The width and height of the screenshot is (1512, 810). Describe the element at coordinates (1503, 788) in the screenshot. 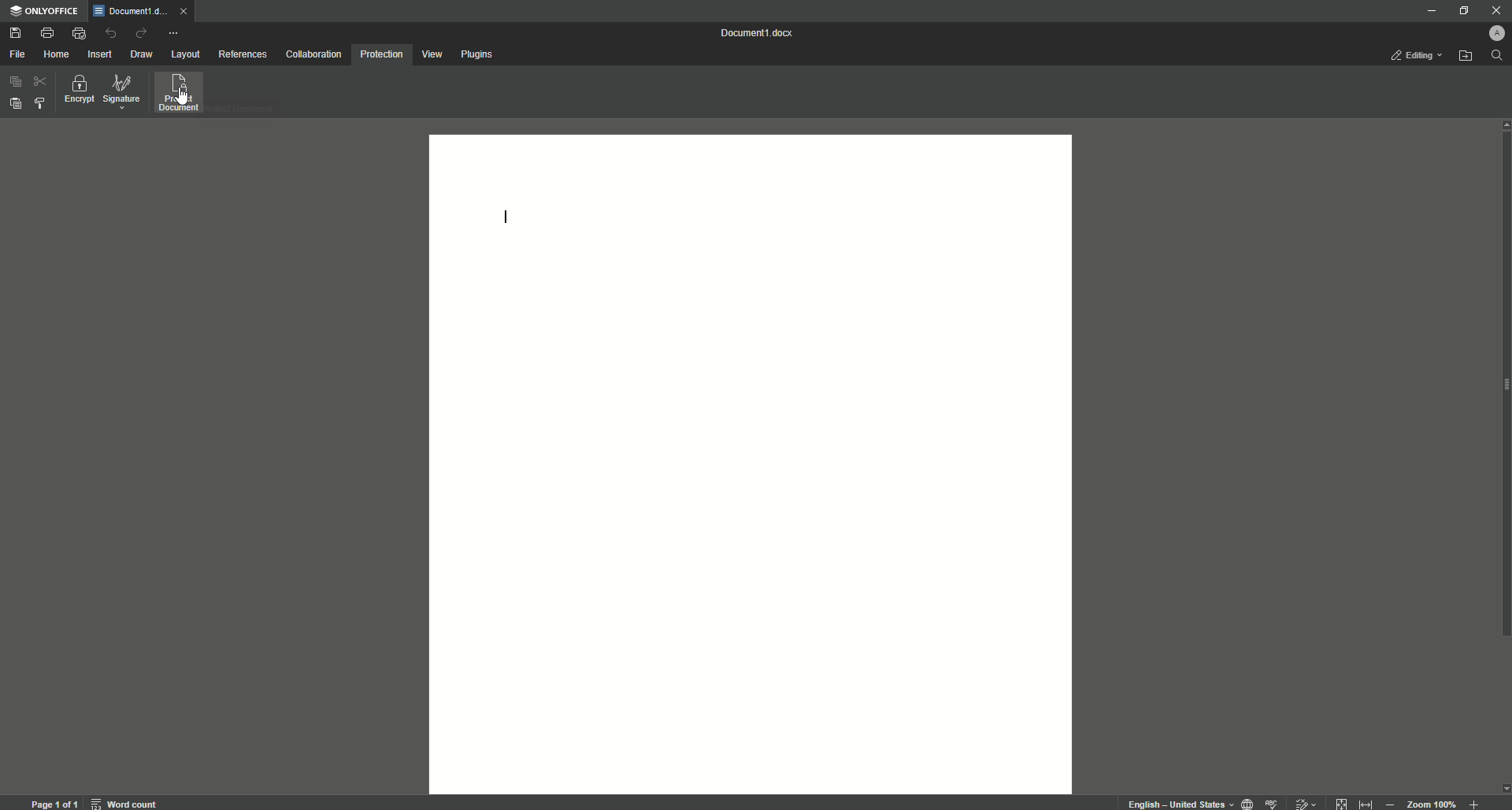

I see `scroll down` at that location.